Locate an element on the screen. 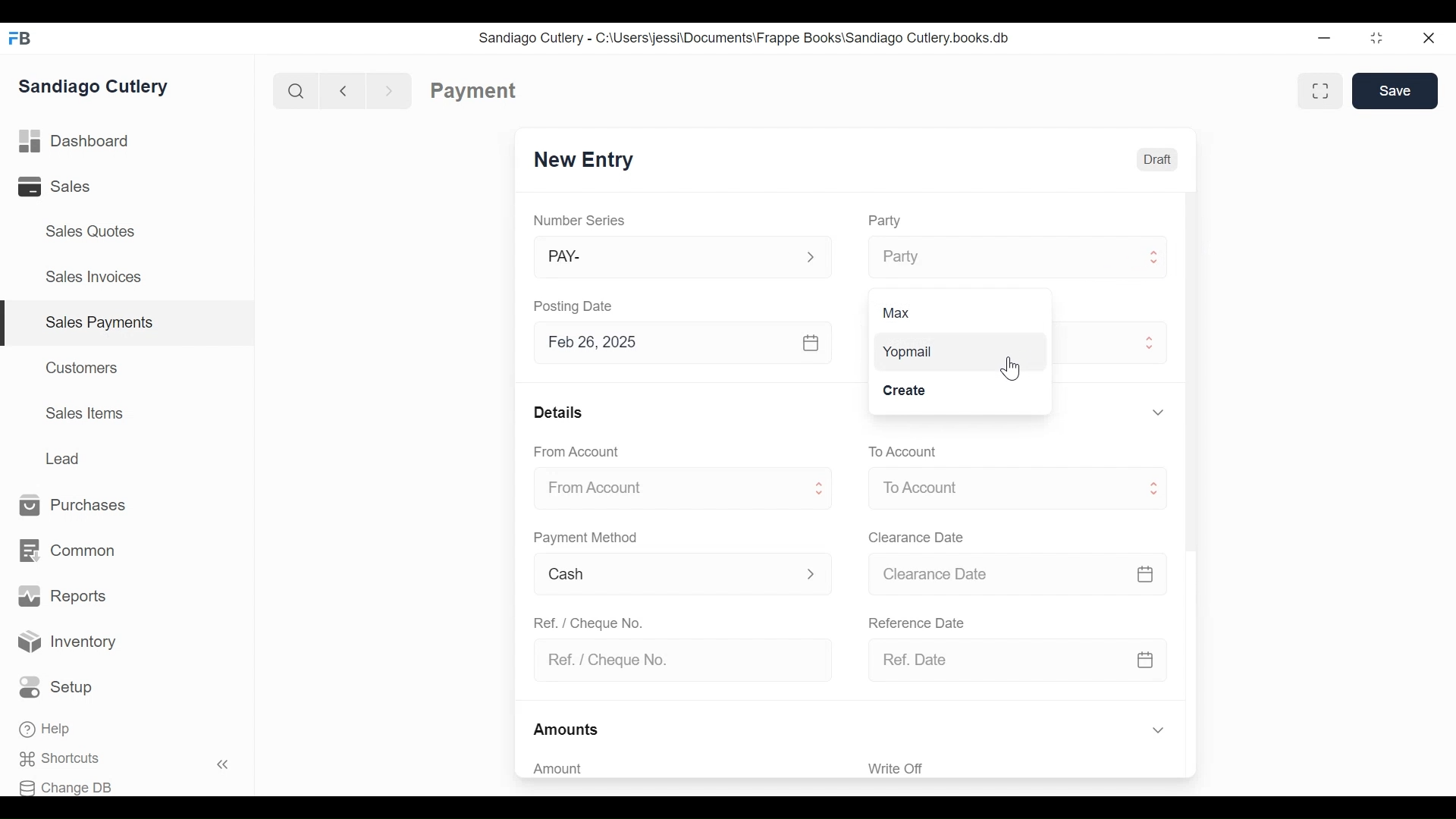 The height and width of the screenshot is (819, 1456). Frappe Books is located at coordinates (21, 38).